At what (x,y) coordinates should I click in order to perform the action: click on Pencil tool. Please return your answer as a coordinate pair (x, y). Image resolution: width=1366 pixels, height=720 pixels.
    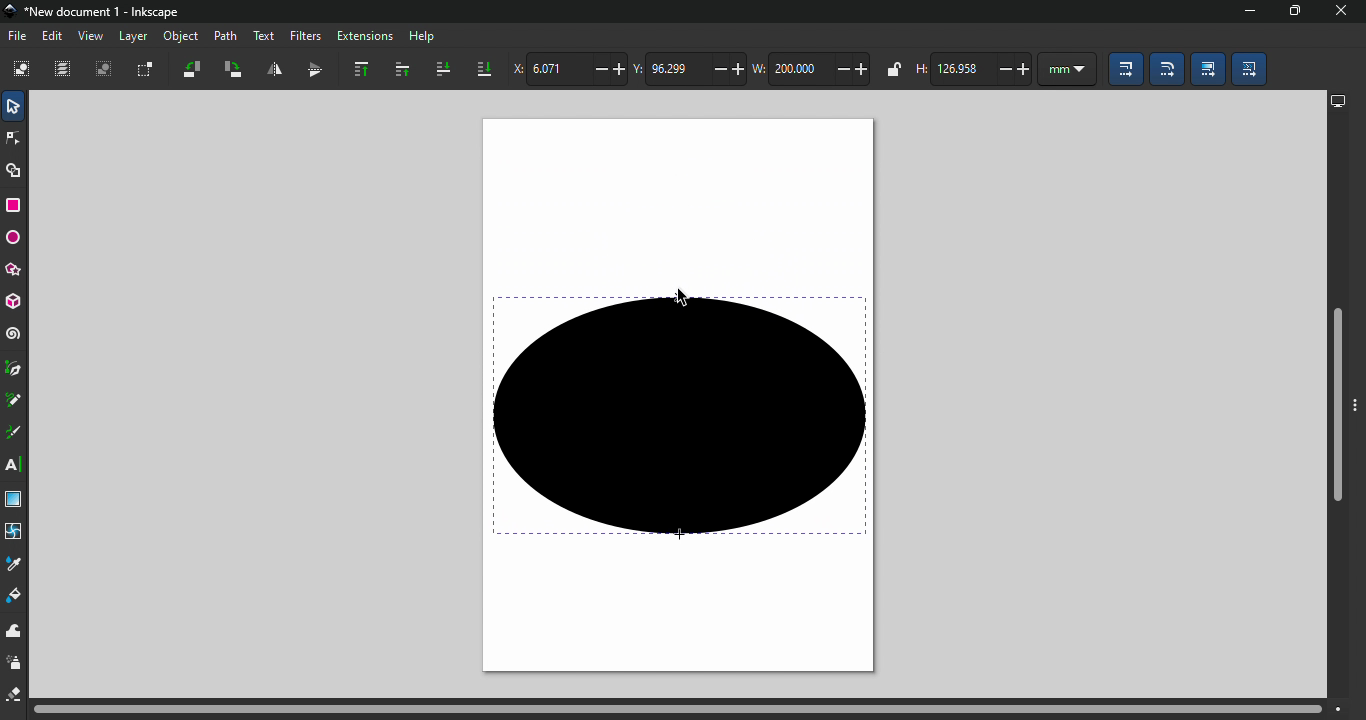
    Looking at the image, I should click on (15, 403).